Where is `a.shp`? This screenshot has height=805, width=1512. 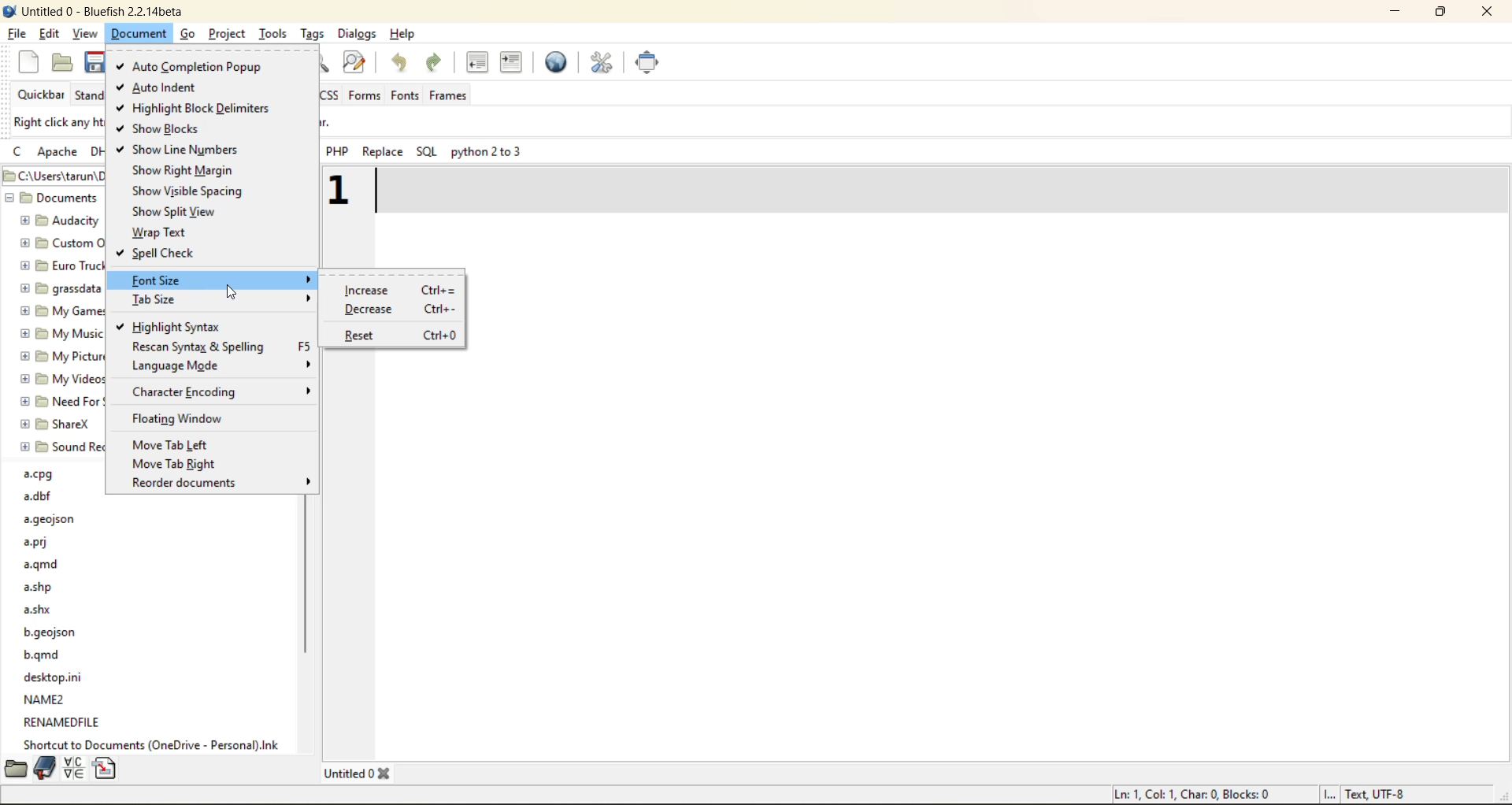 a.shp is located at coordinates (41, 587).